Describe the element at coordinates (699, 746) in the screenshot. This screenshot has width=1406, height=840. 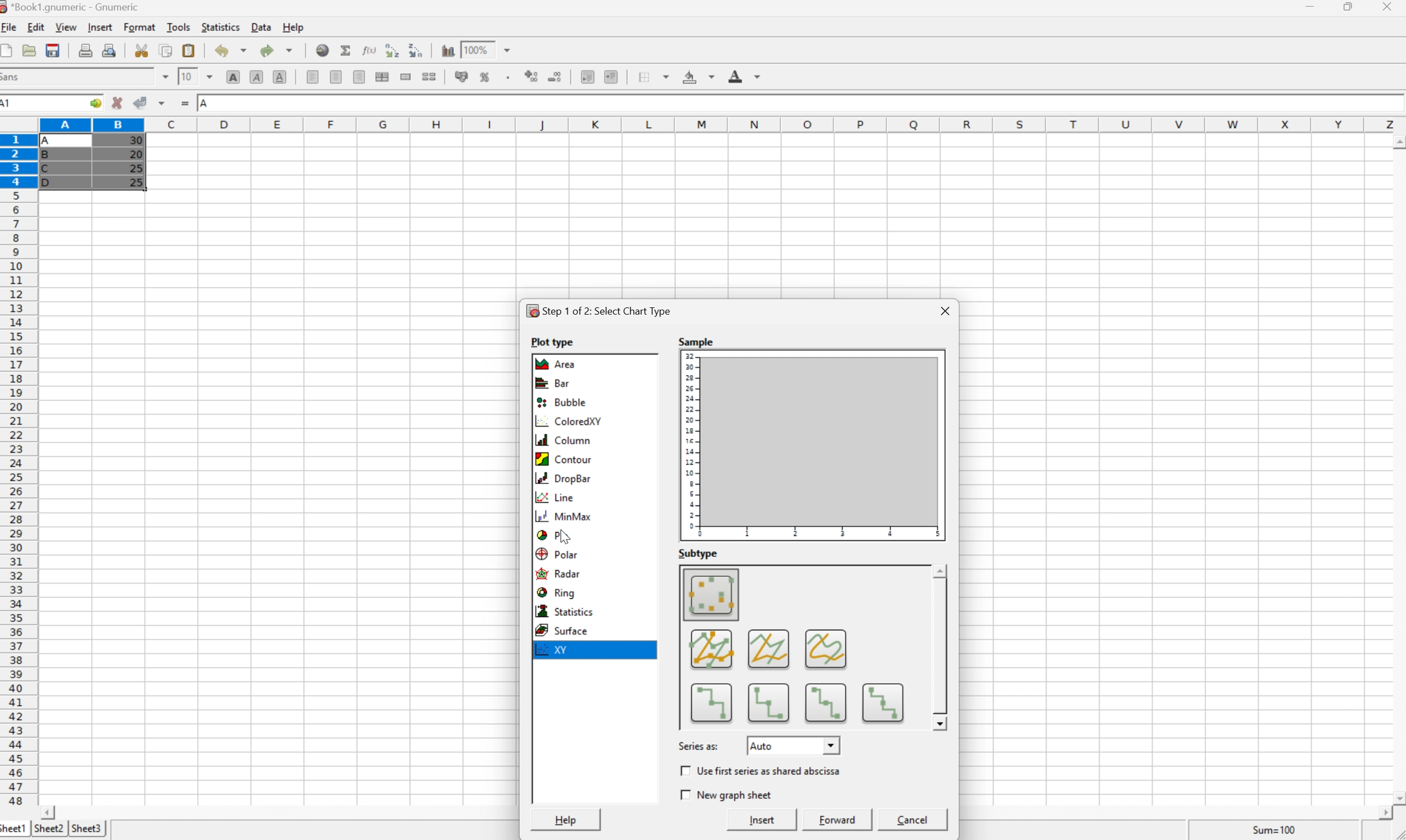
I see `Series as:` at that location.